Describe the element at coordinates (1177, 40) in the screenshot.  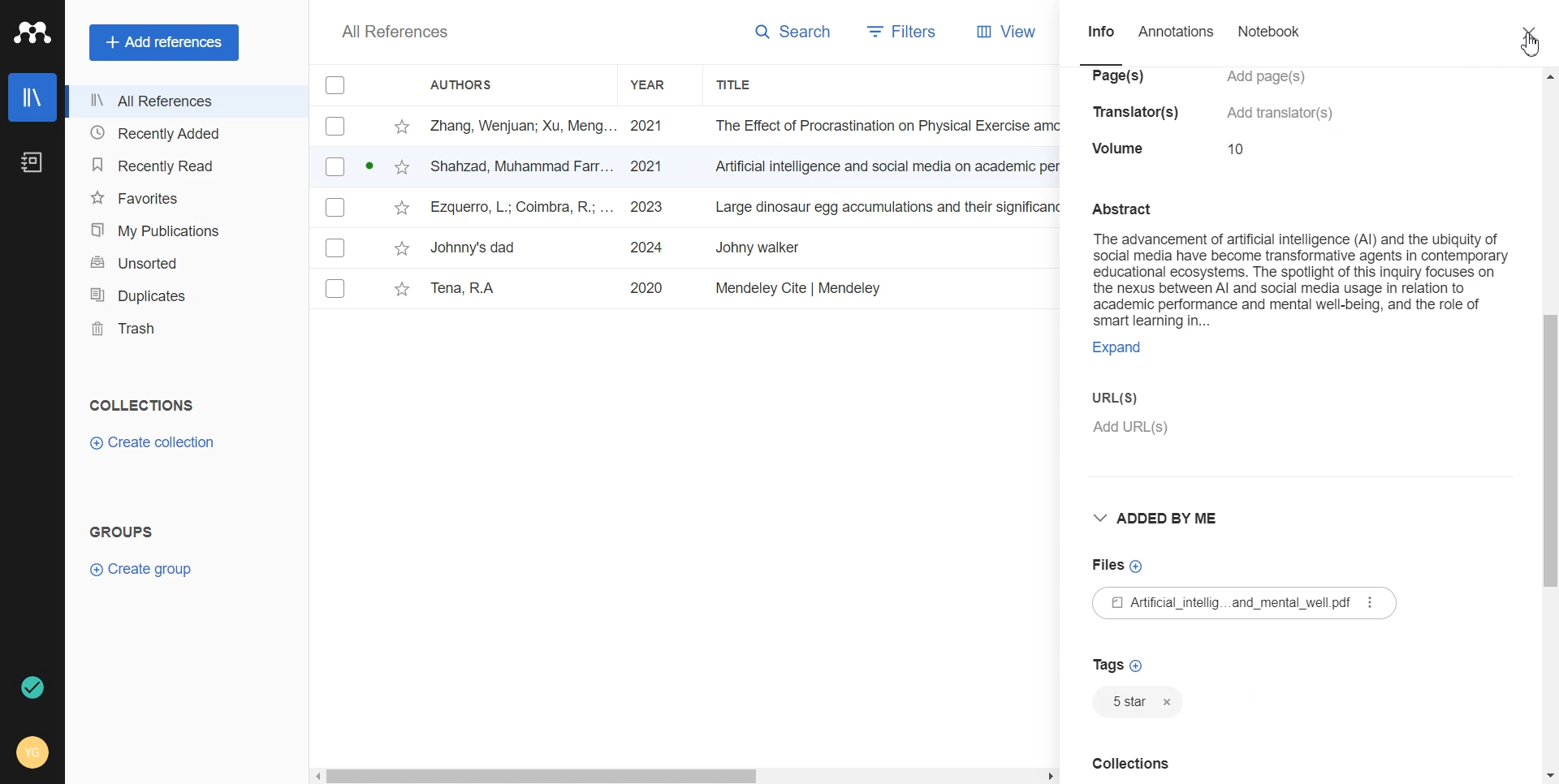
I see `Annotations` at that location.